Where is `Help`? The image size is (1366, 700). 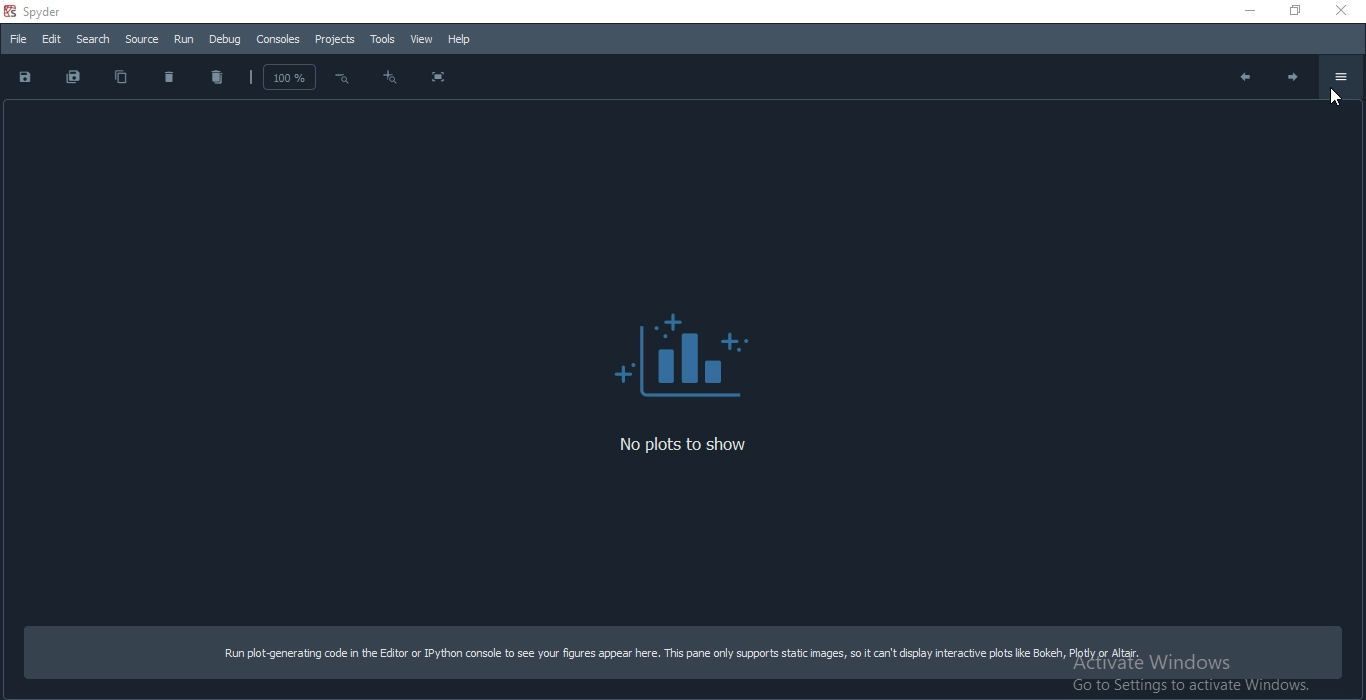
Help is located at coordinates (460, 39).